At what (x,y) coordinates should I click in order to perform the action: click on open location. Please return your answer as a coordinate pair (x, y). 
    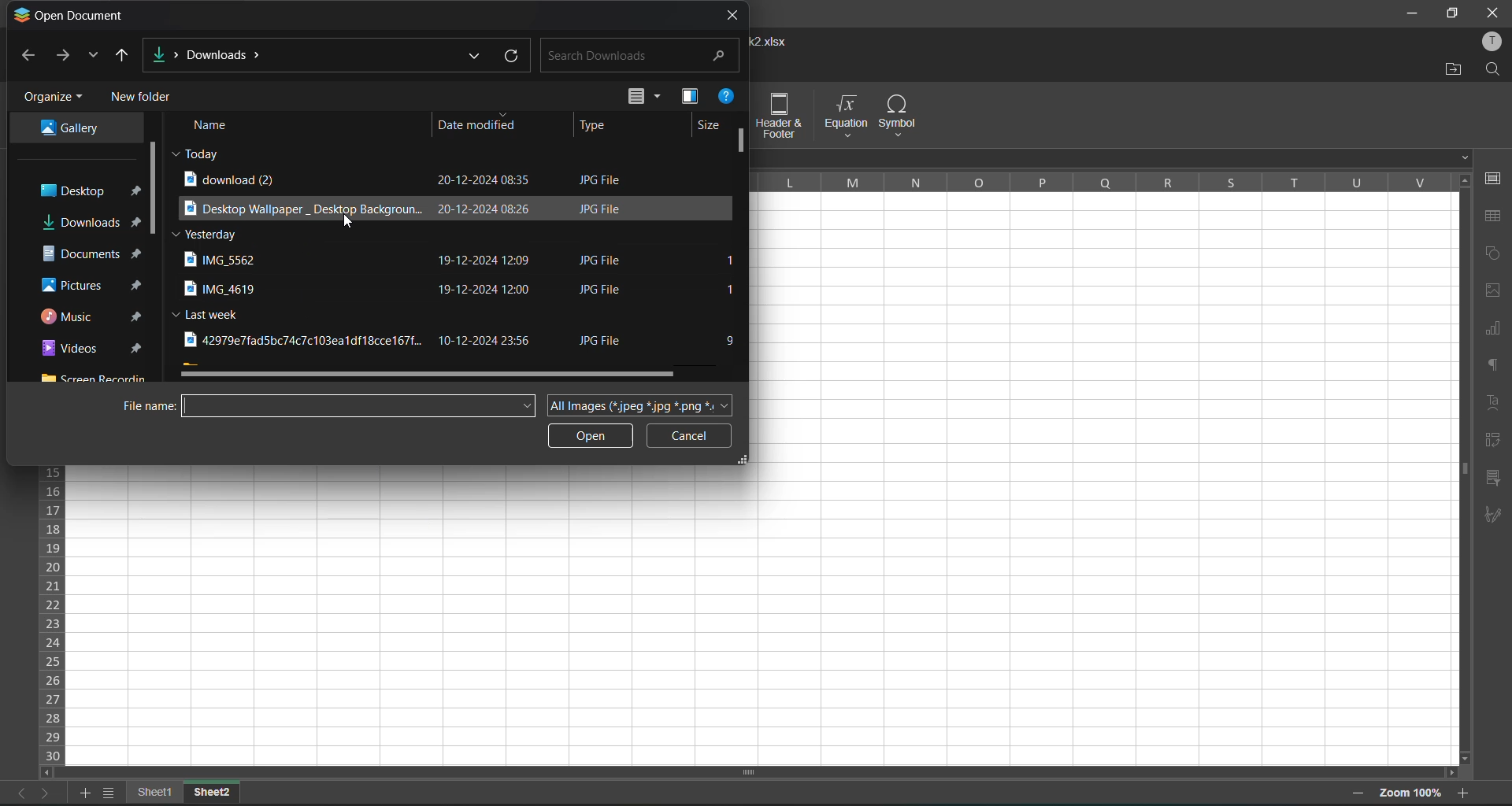
    Looking at the image, I should click on (1447, 71).